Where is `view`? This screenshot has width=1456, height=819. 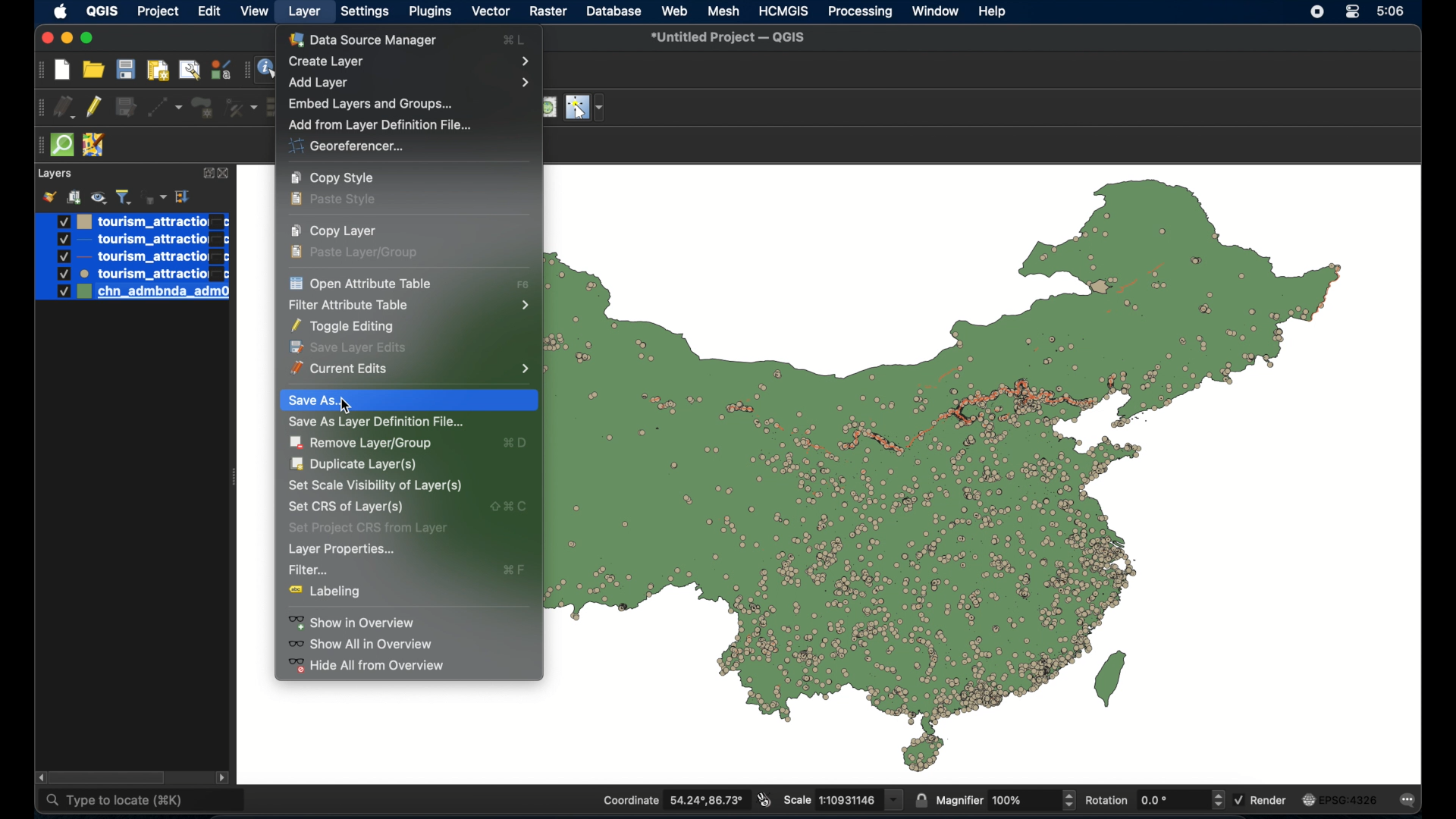
view is located at coordinates (256, 12).